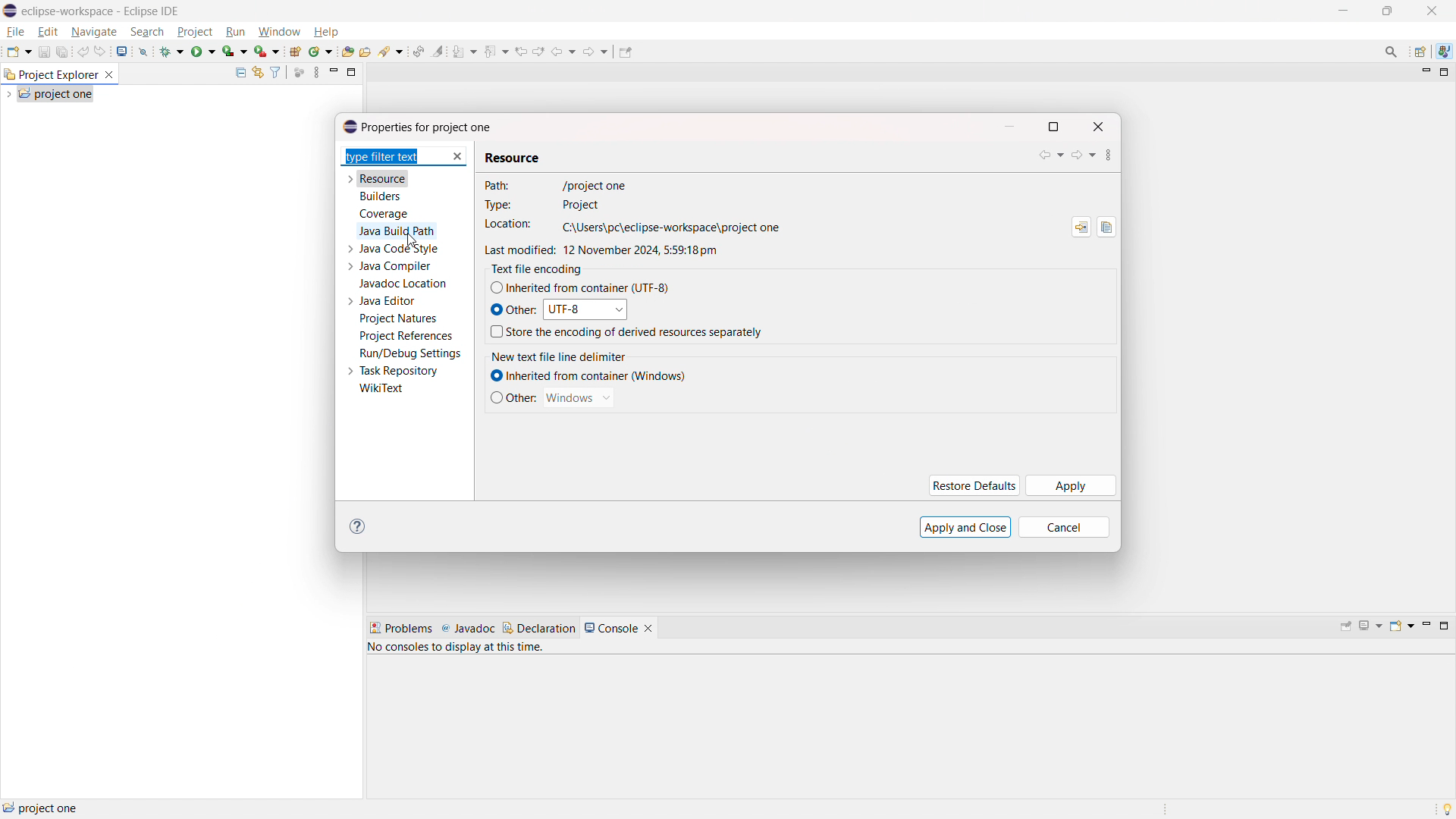  Describe the element at coordinates (1107, 227) in the screenshot. I see `copy full path` at that location.